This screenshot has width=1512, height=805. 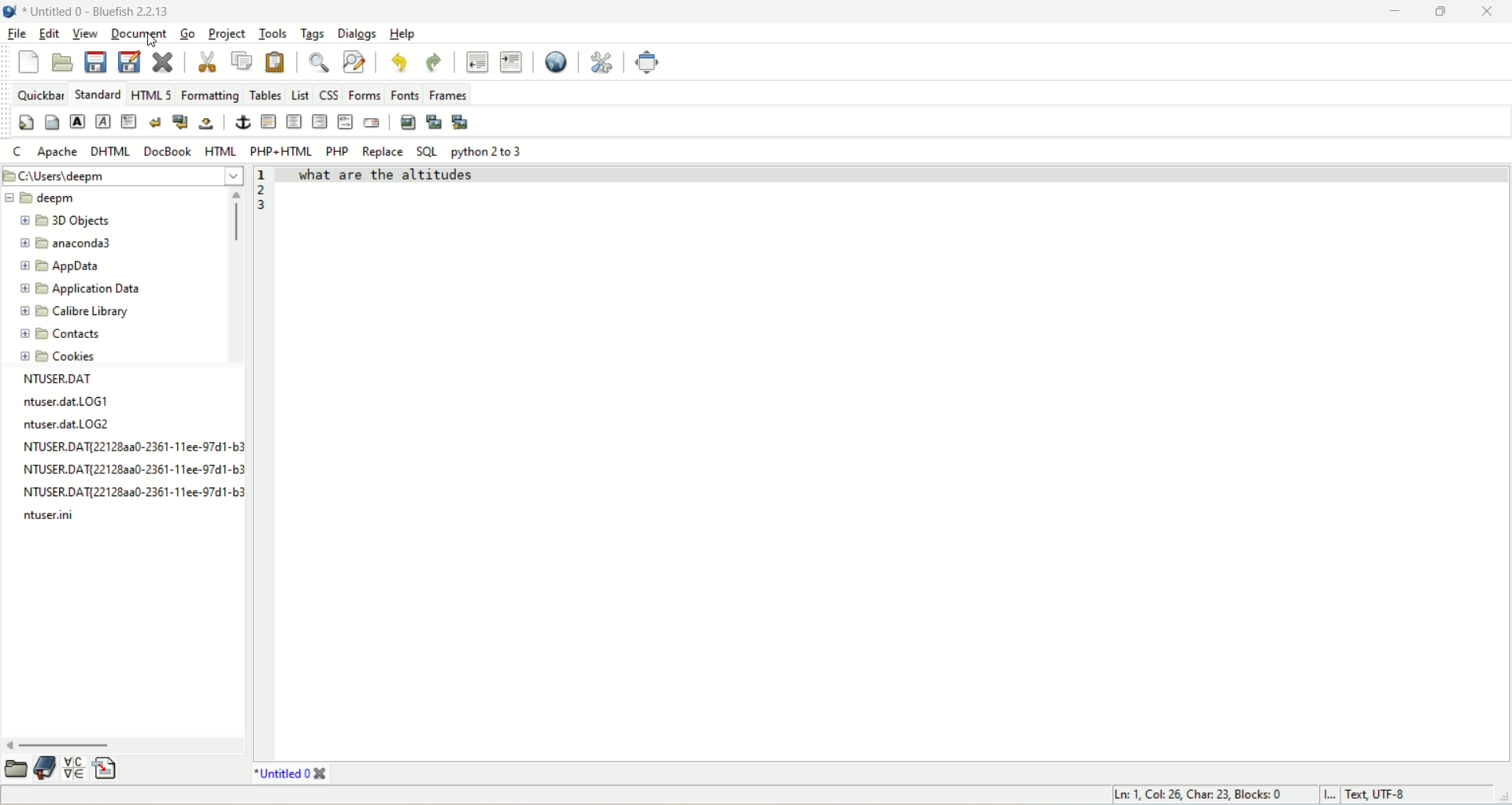 What do you see at coordinates (70, 243) in the screenshot?
I see `anaconda` at bounding box center [70, 243].